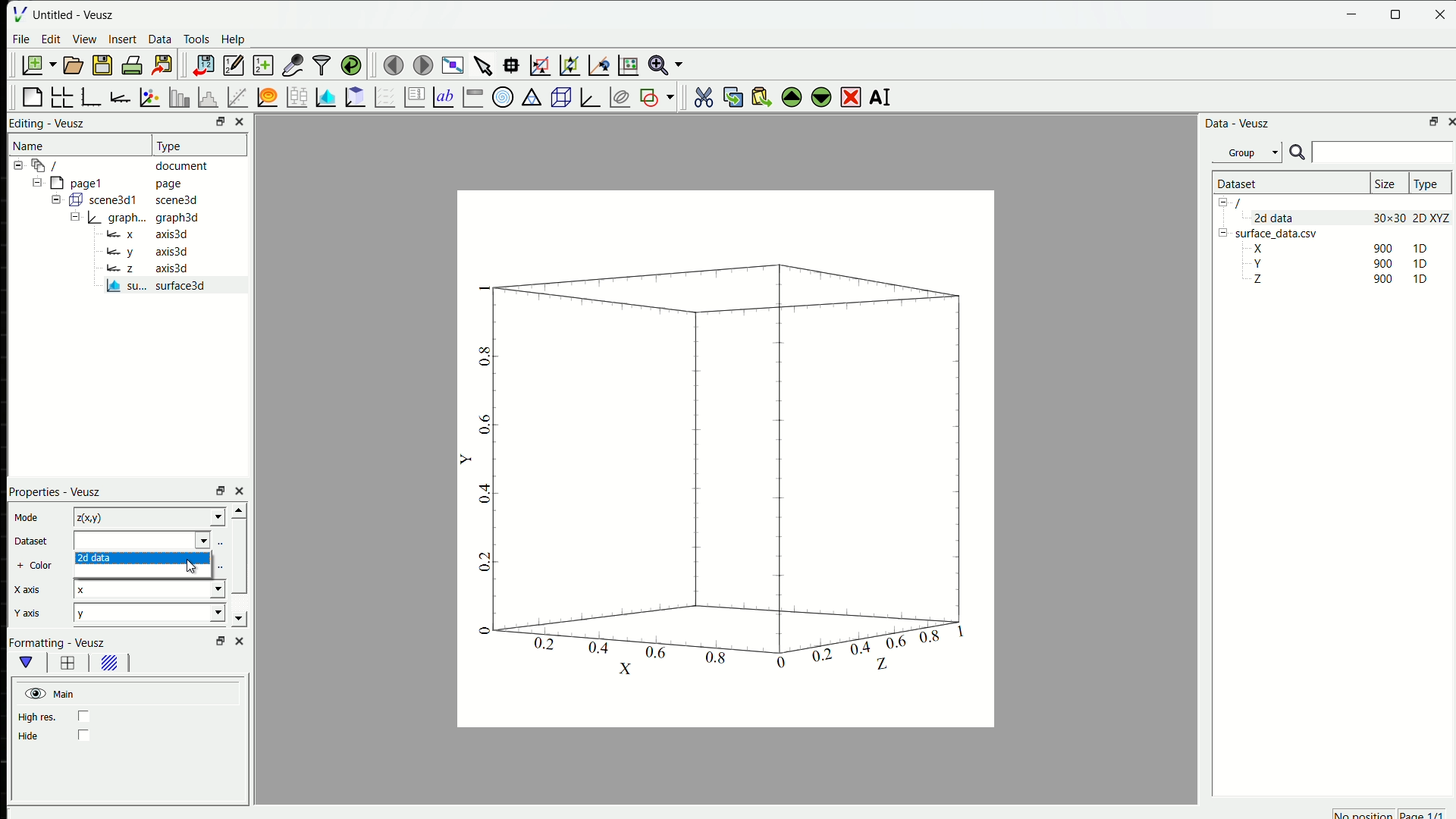  Describe the element at coordinates (33, 96) in the screenshot. I see `blank page` at that location.